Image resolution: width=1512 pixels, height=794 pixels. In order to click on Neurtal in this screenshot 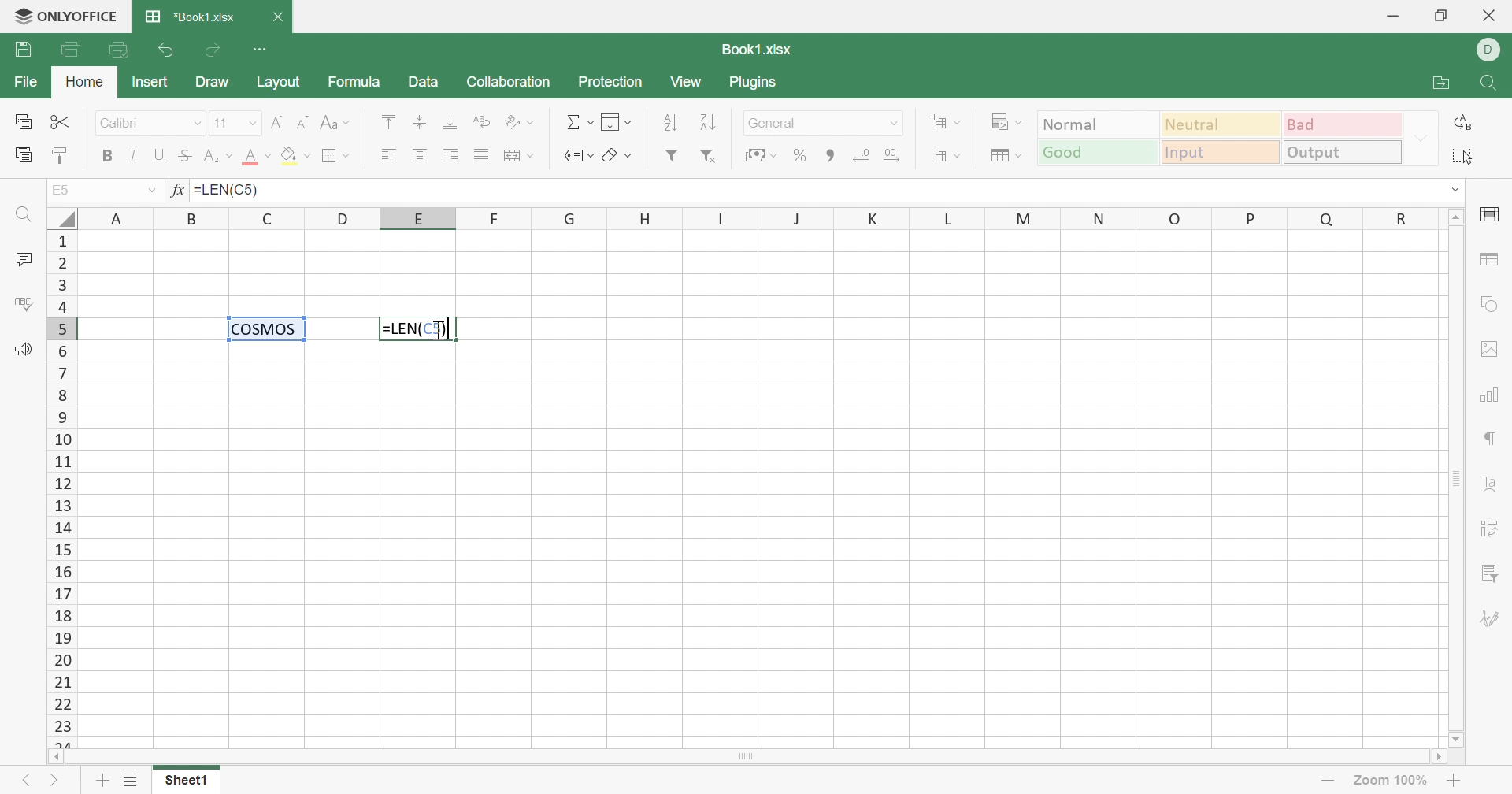, I will do `click(1222, 126)`.